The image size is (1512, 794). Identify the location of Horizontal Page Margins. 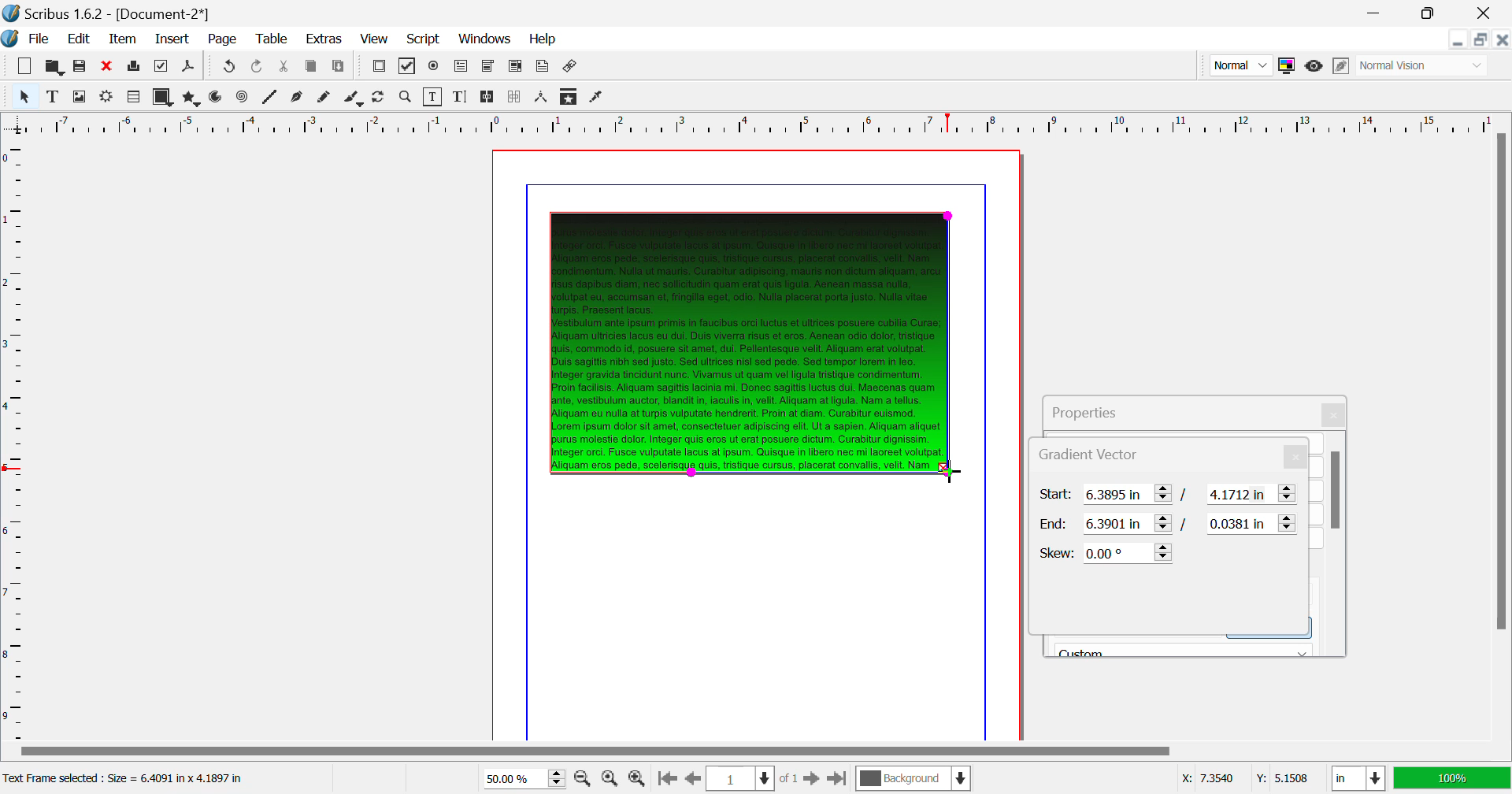
(15, 439).